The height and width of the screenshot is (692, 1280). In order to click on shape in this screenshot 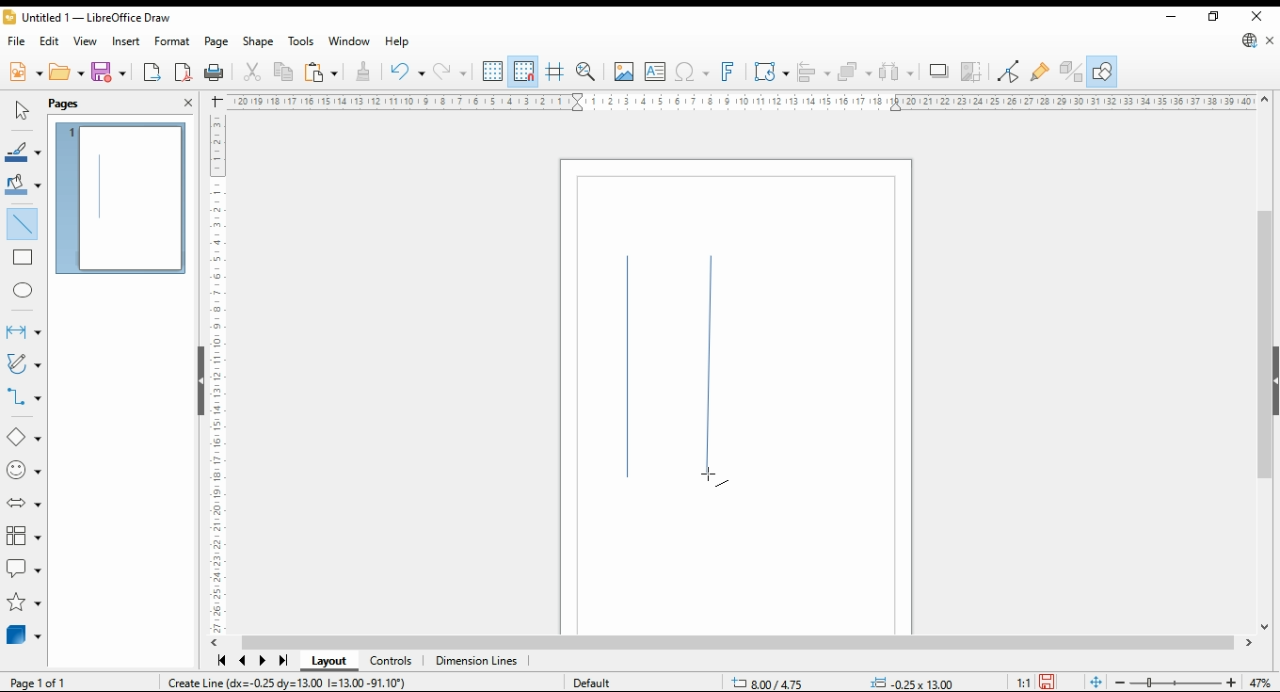, I will do `click(258, 42)`.